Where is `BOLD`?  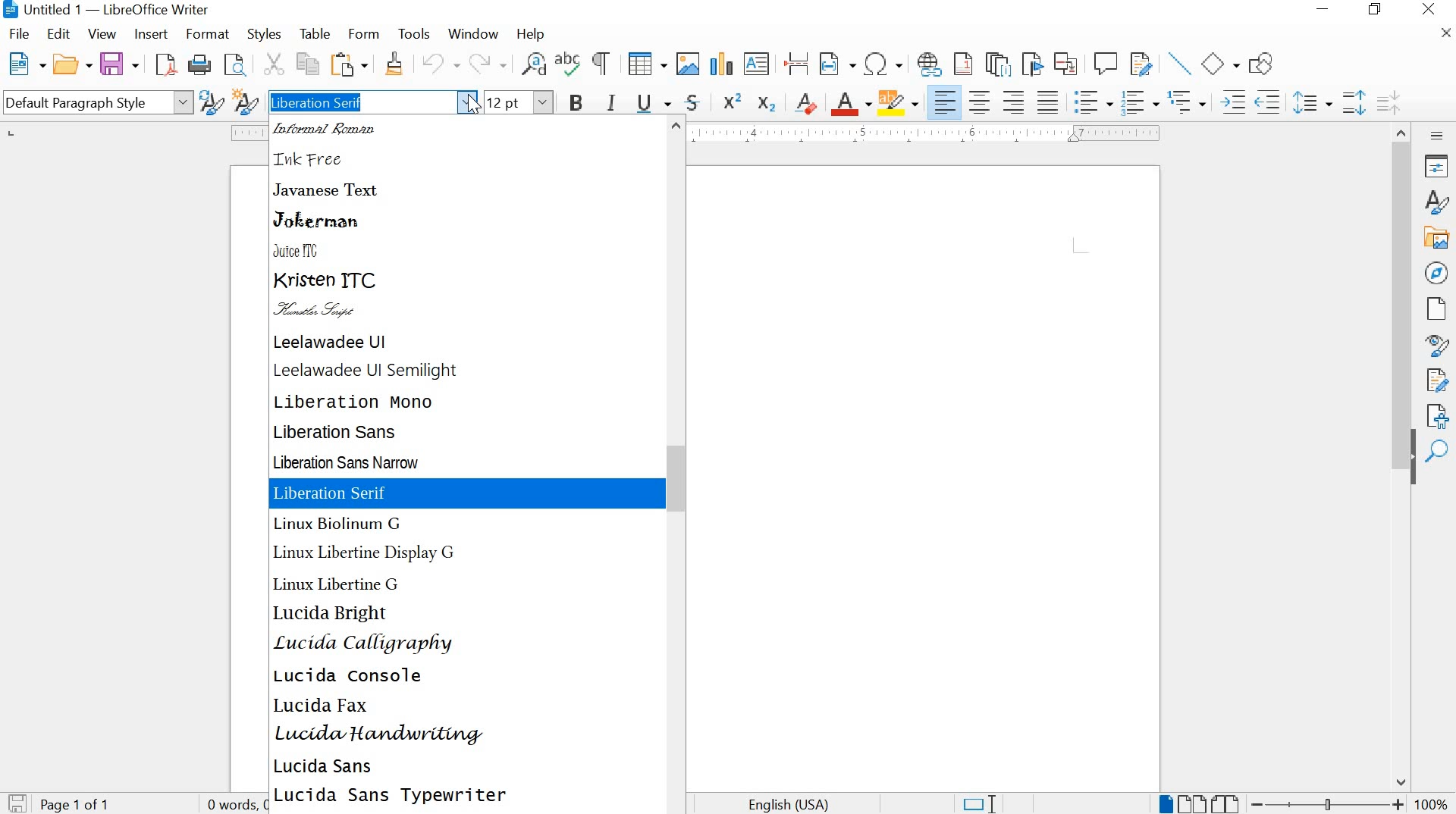
BOLD is located at coordinates (576, 102).